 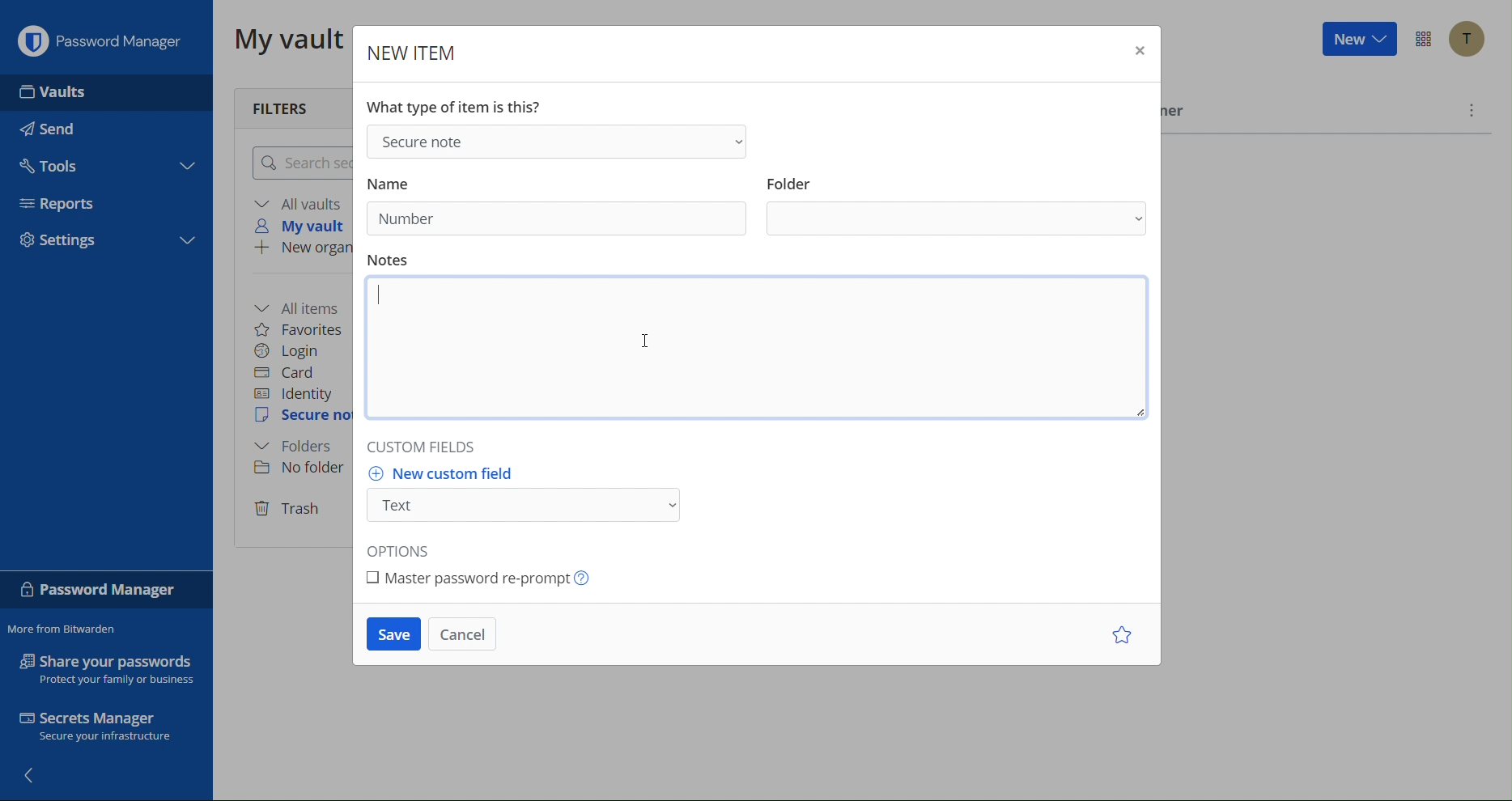 I want to click on All vaults, so click(x=299, y=203).